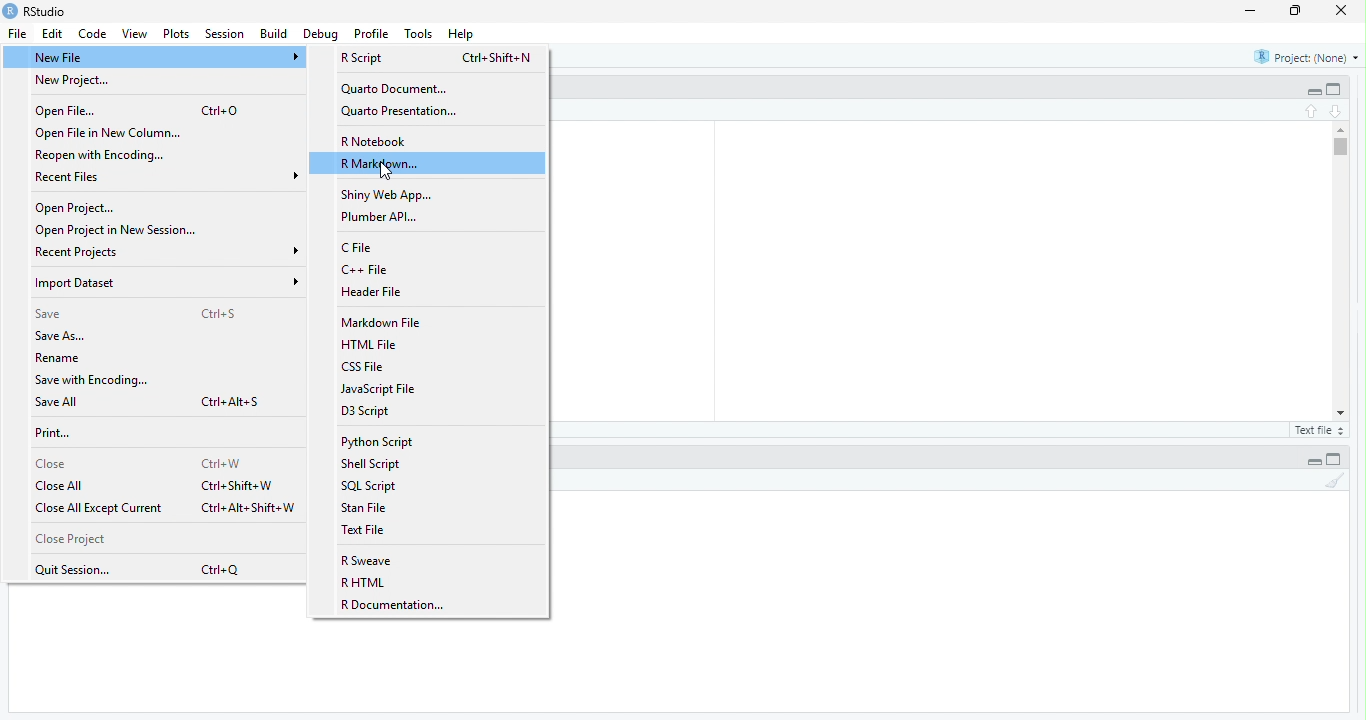  What do you see at coordinates (369, 345) in the screenshot?
I see `HTML File` at bounding box center [369, 345].